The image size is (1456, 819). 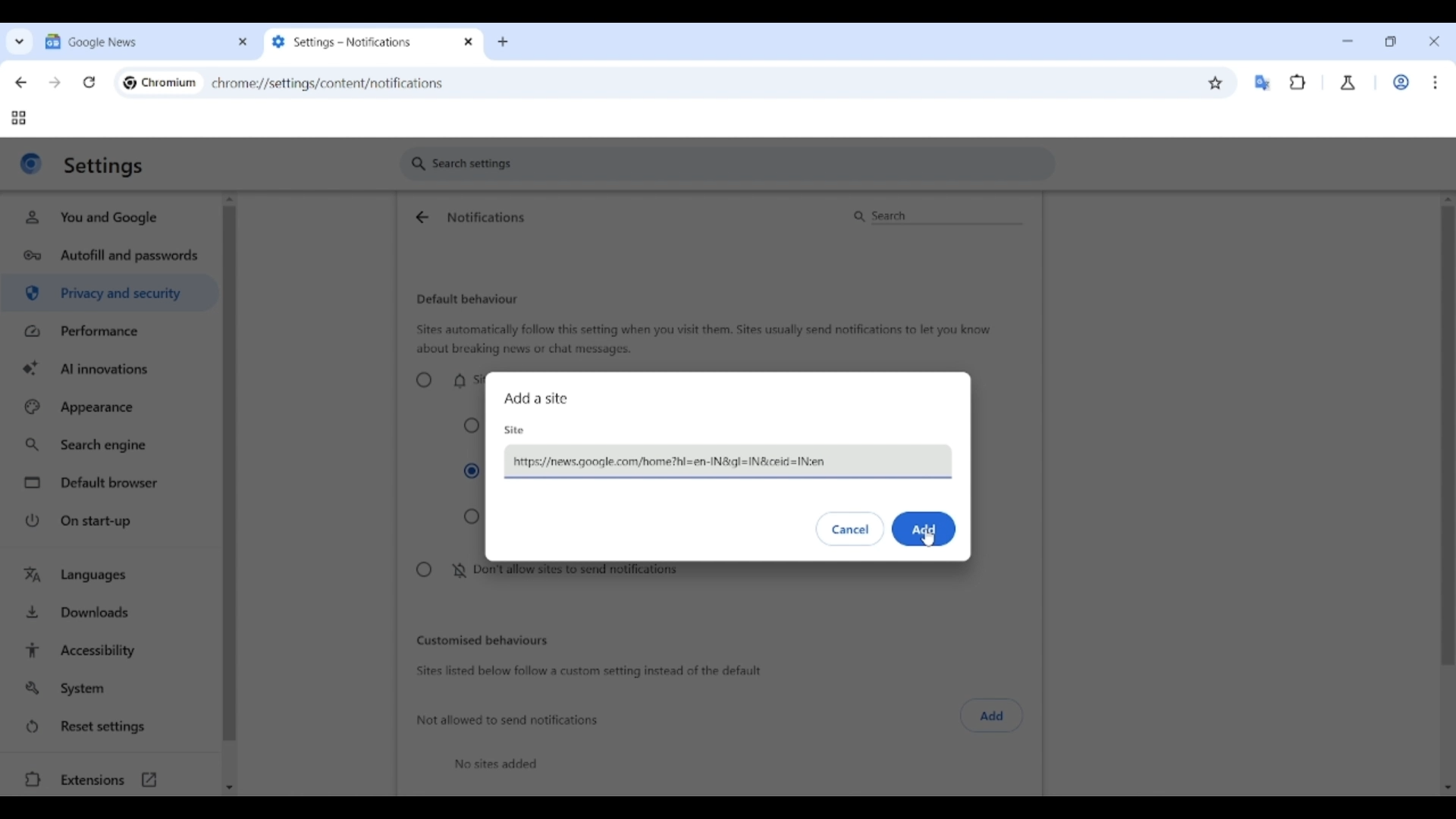 What do you see at coordinates (922, 529) in the screenshot?
I see `Save inputs made` at bounding box center [922, 529].